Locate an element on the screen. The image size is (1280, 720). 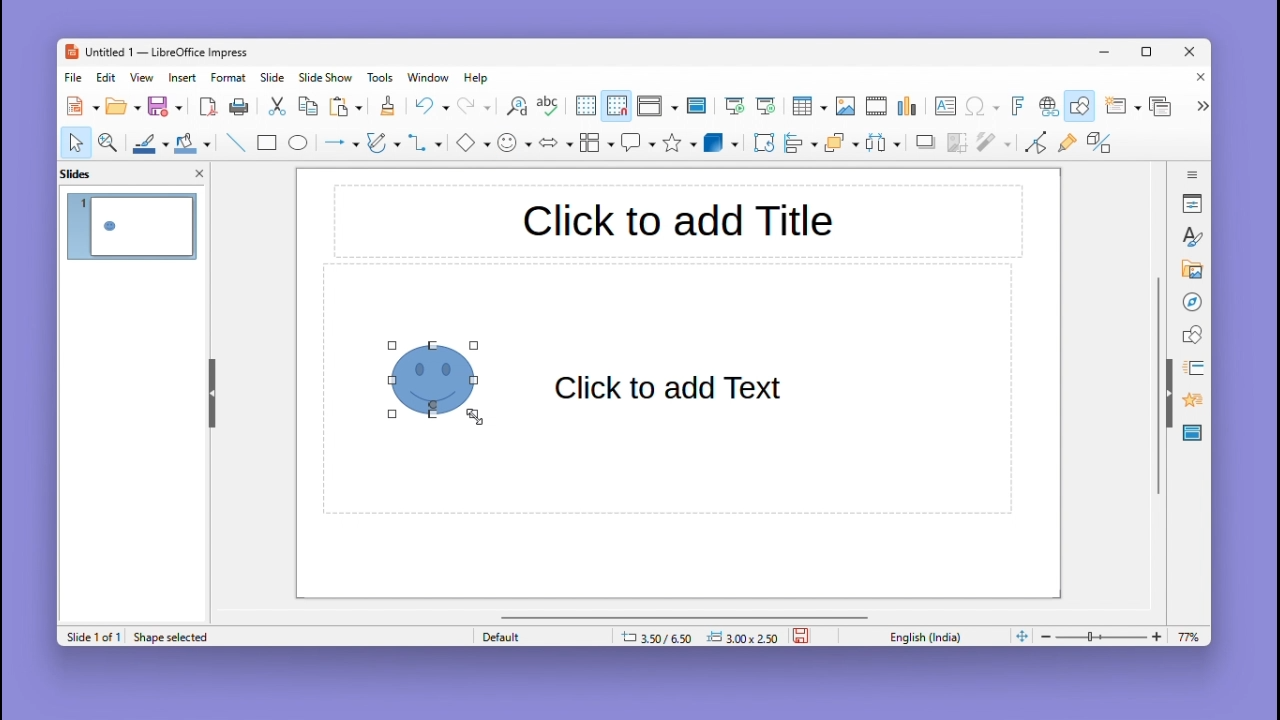
Slideshow is located at coordinates (327, 78).